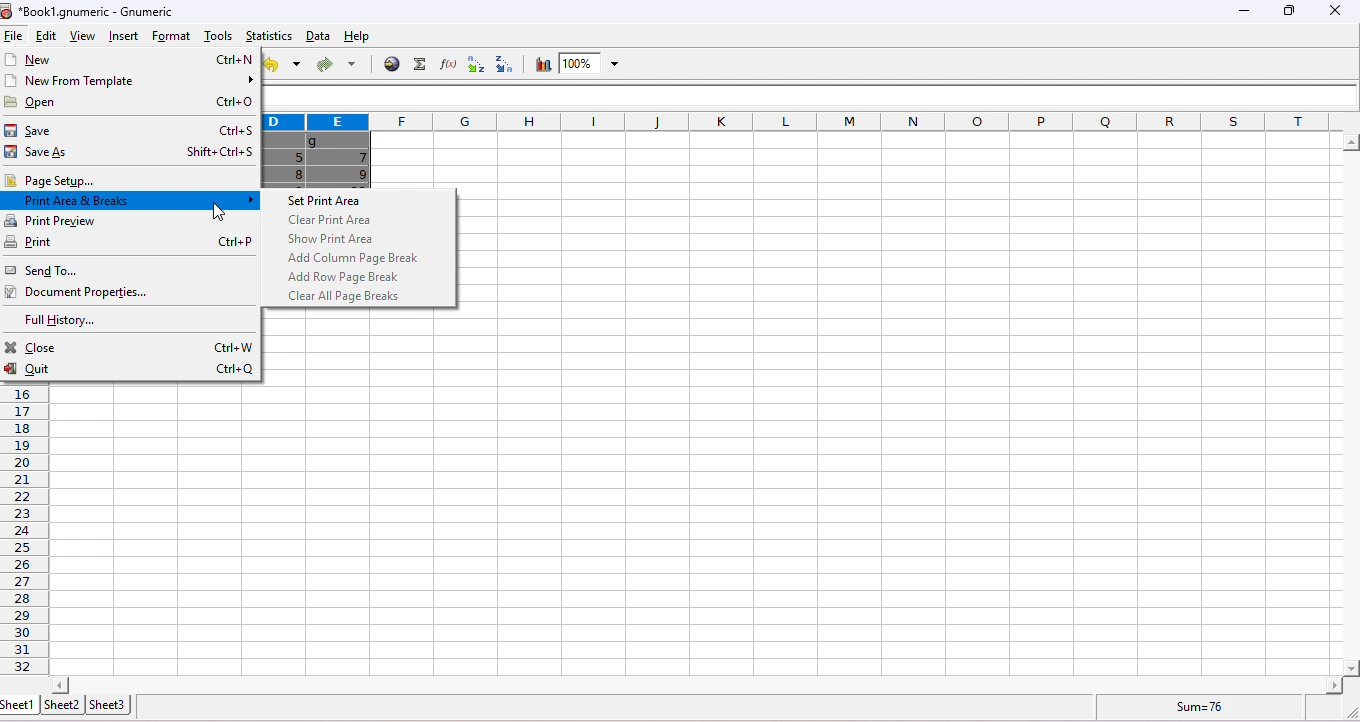  I want to click on clear print area, so click(331, 220).